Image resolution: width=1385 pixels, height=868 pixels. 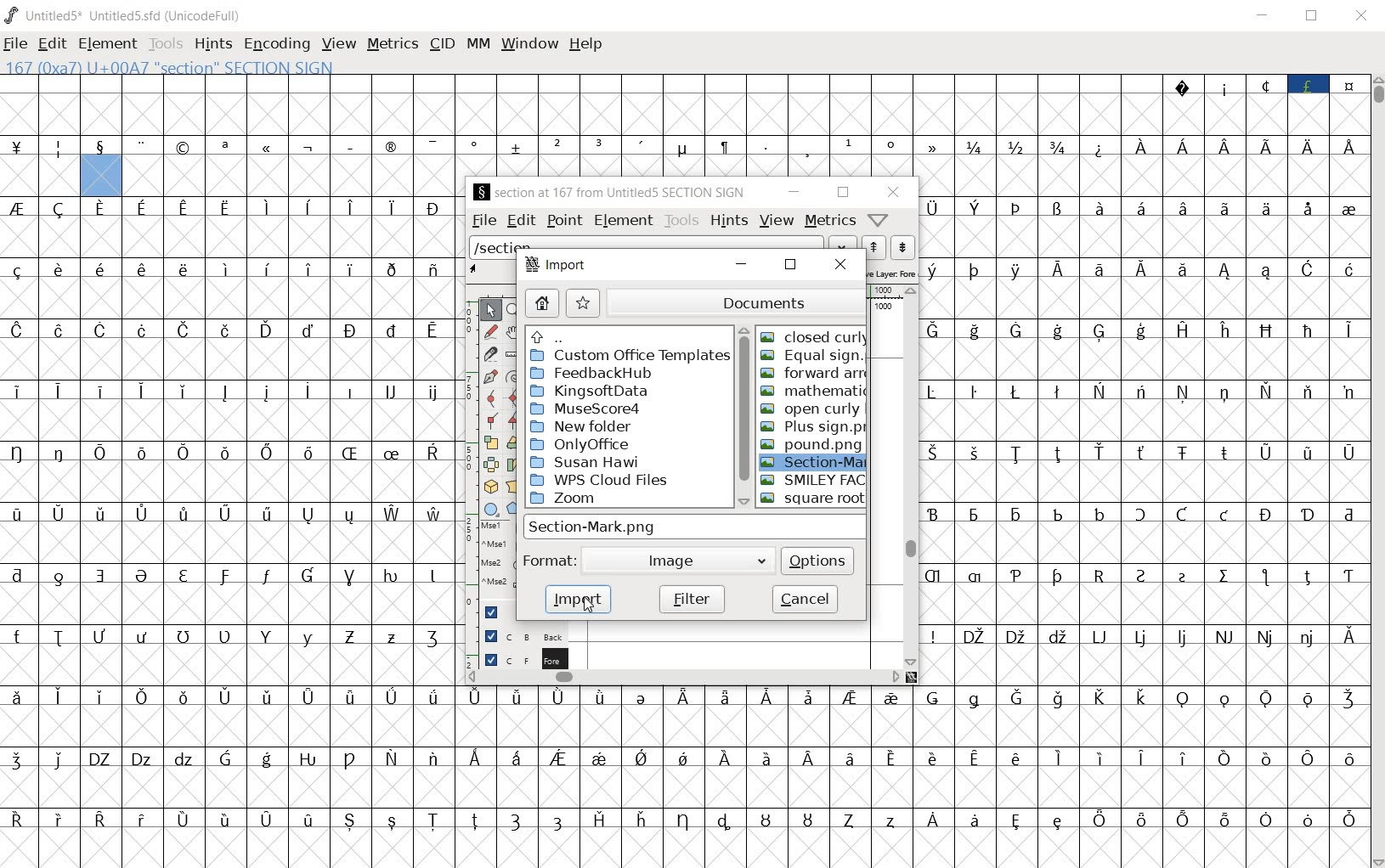 What do you see at coordinates (812, 428) in the screenshot?
I see `PLUS SIGN.PNG` at bounding box center [812, 428].